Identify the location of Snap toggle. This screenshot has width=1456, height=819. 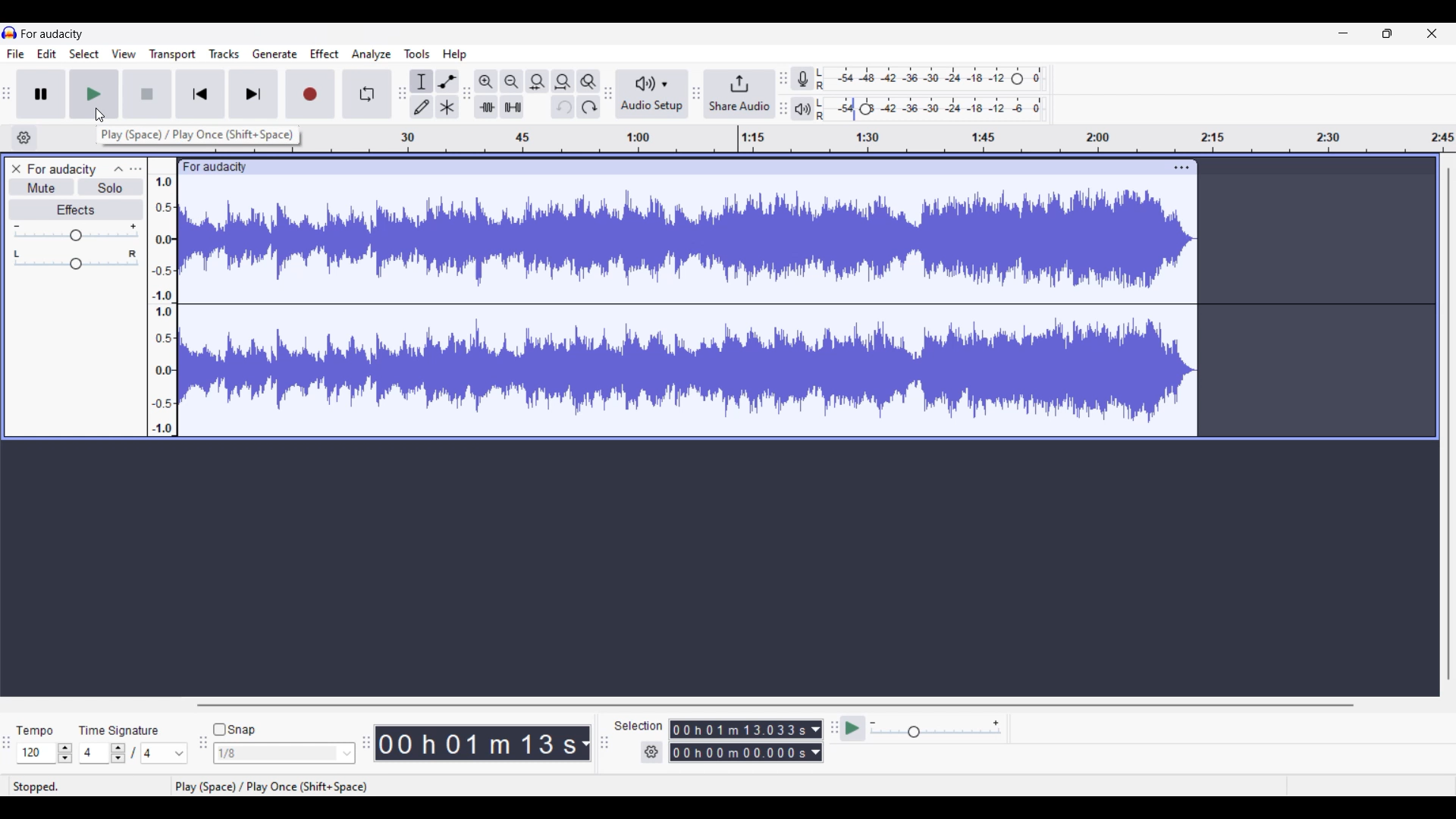
(234, 730).